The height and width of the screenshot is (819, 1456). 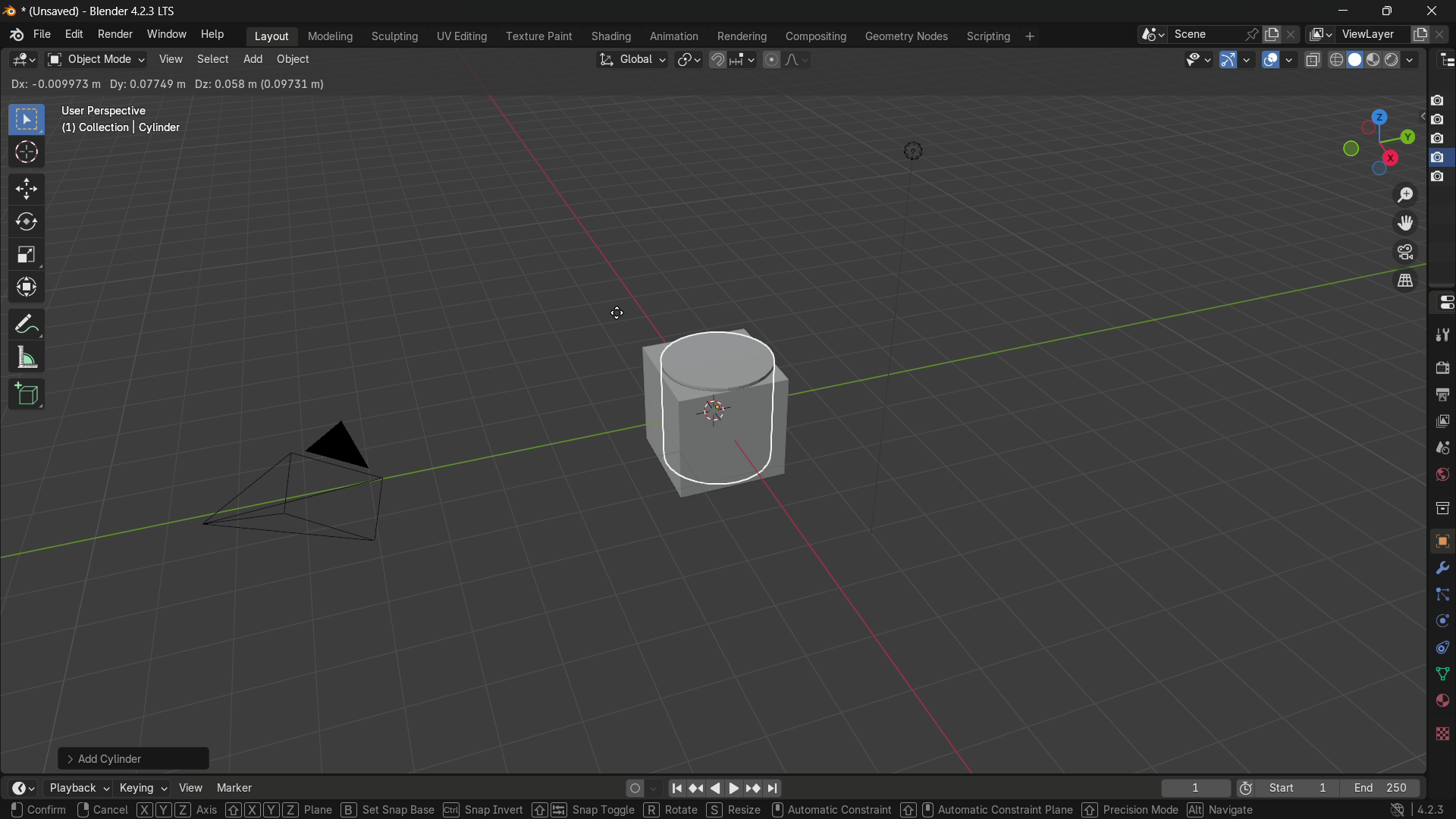 I want to click on capture, so click(x=1439, y=139).